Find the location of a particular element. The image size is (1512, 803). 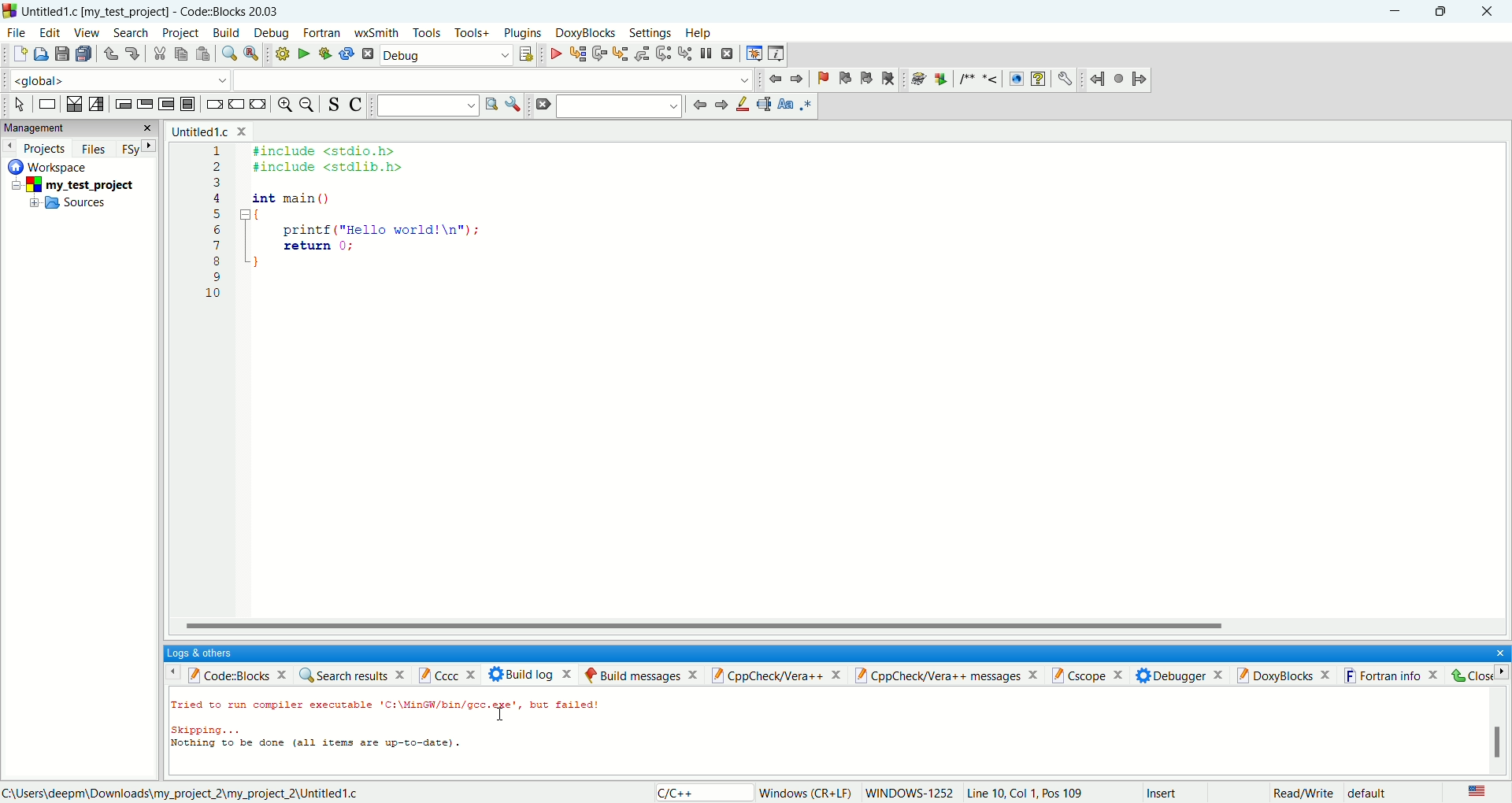

cccc is located at coordinates (451, 674).